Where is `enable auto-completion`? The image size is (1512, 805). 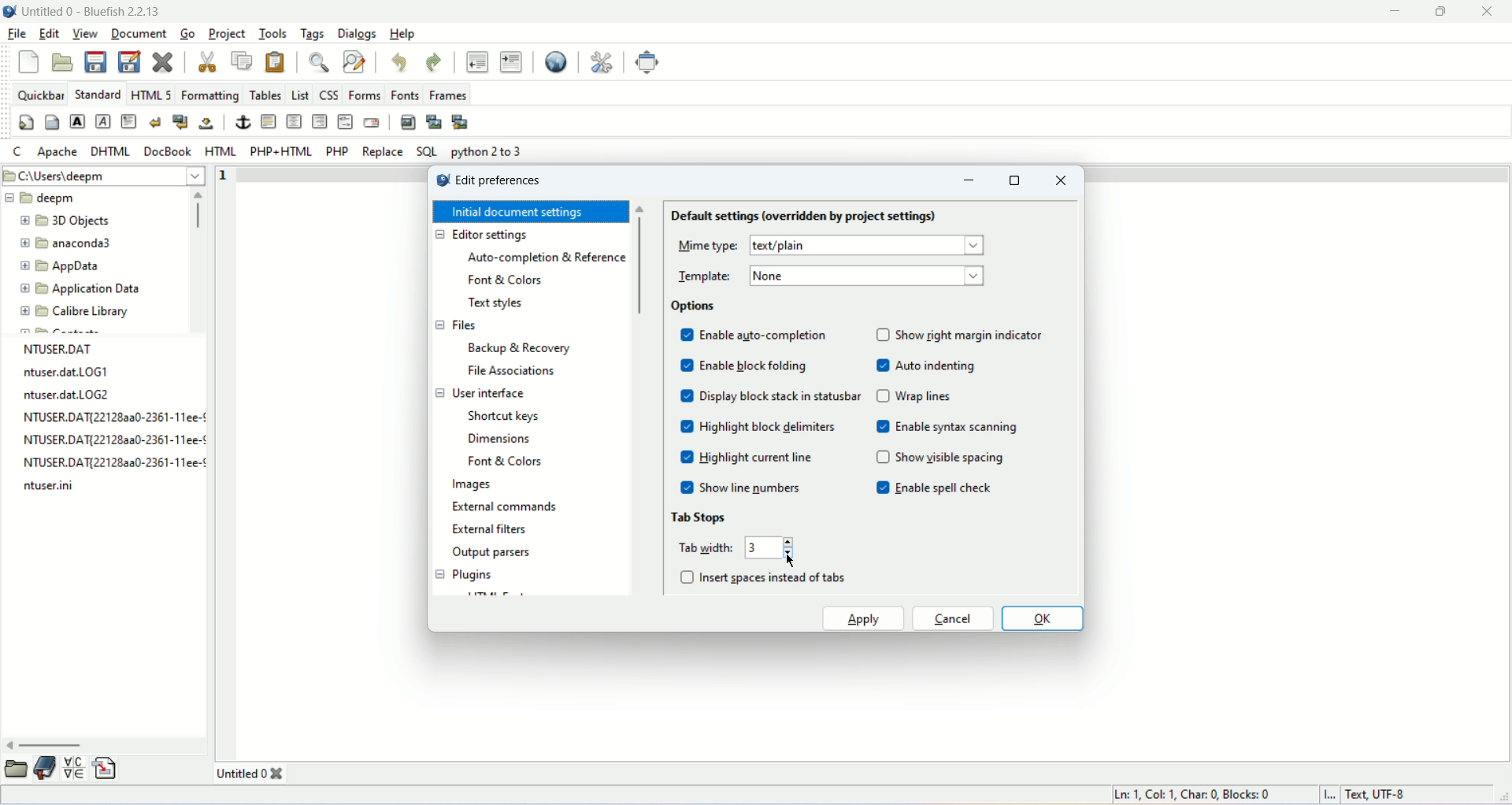 enable auto-completion is located at coordinates (766, 336).